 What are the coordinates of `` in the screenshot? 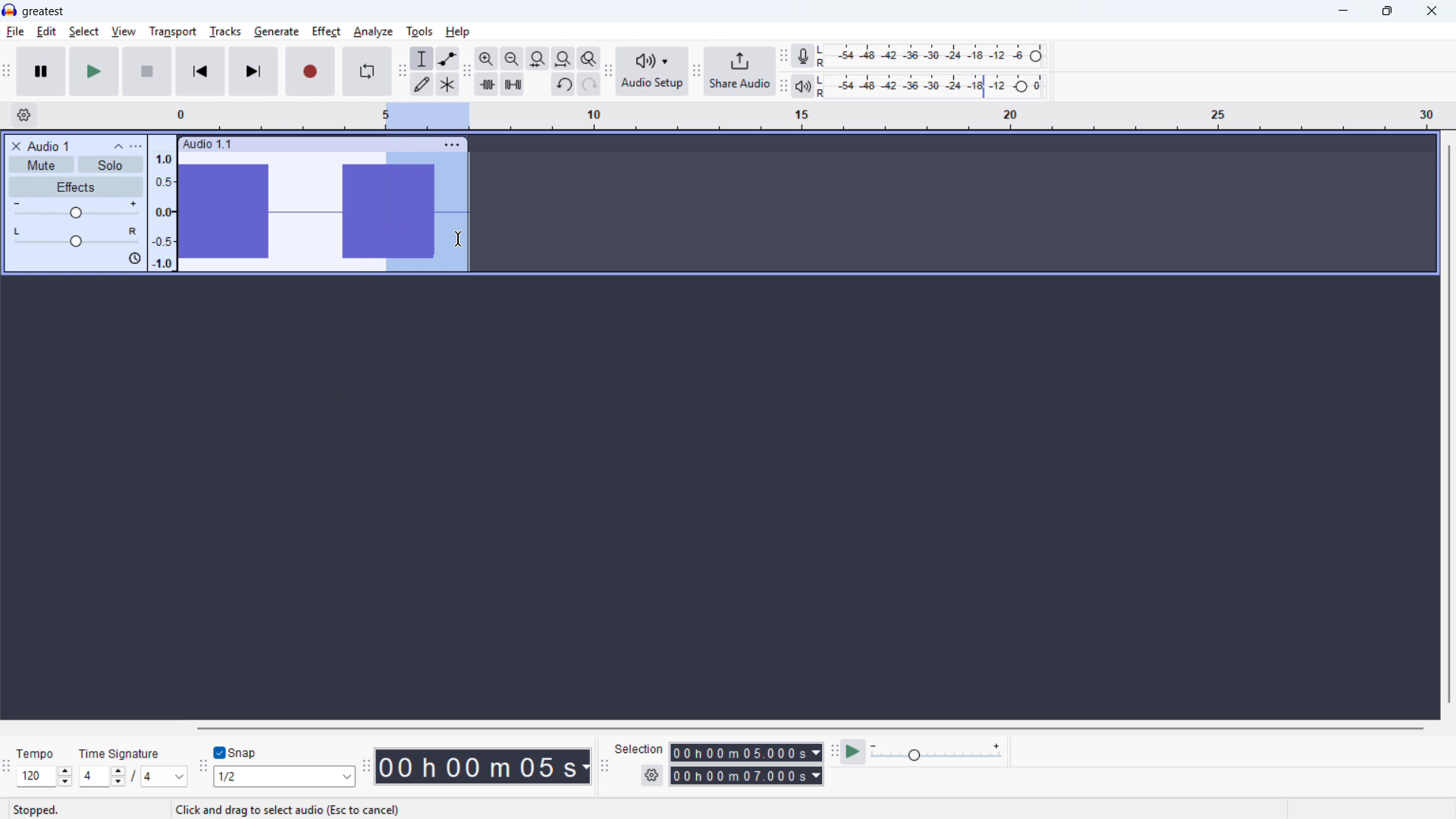 It's located at (119, 754).